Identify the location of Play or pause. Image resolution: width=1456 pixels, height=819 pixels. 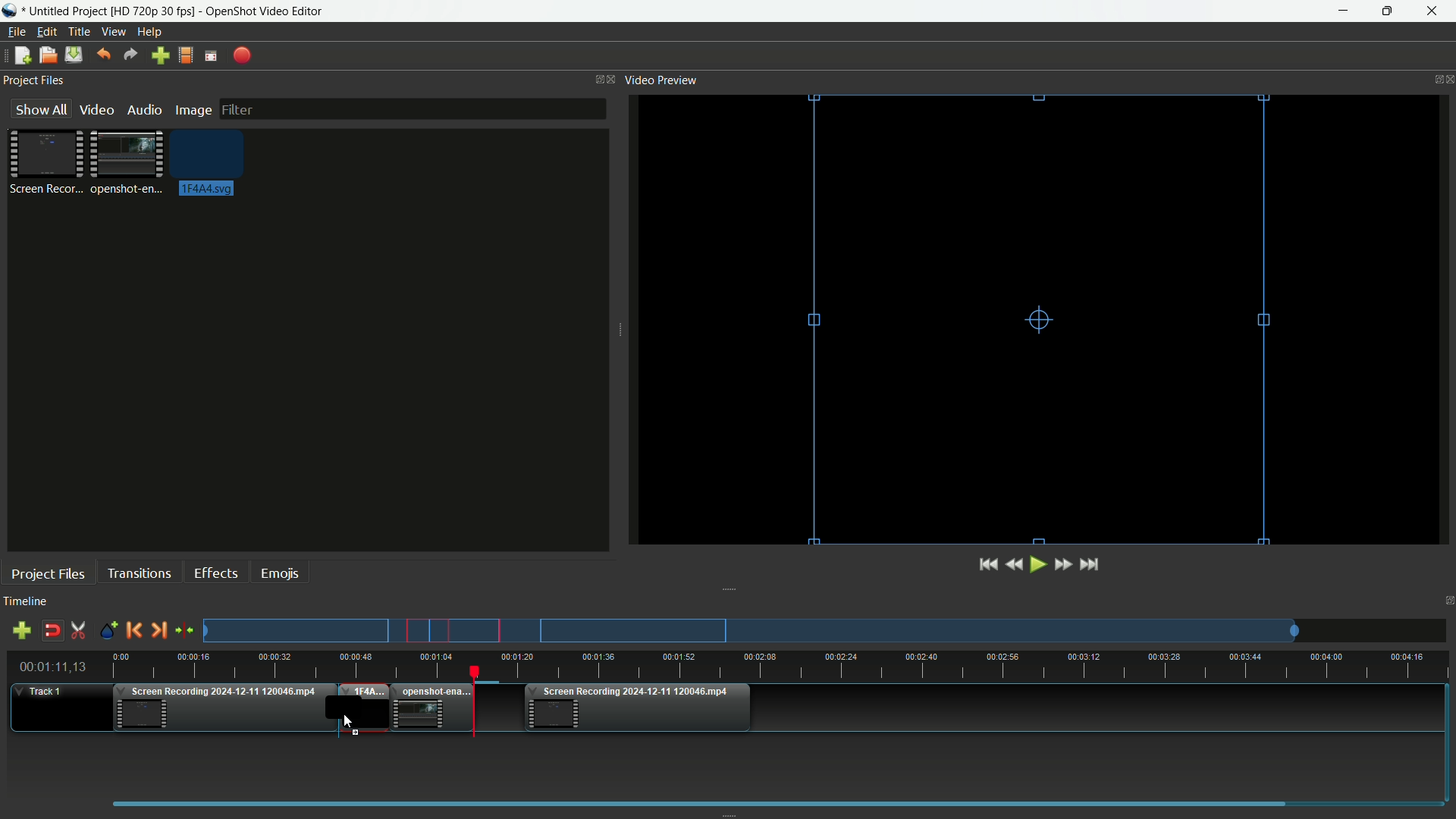
(1040, 565).